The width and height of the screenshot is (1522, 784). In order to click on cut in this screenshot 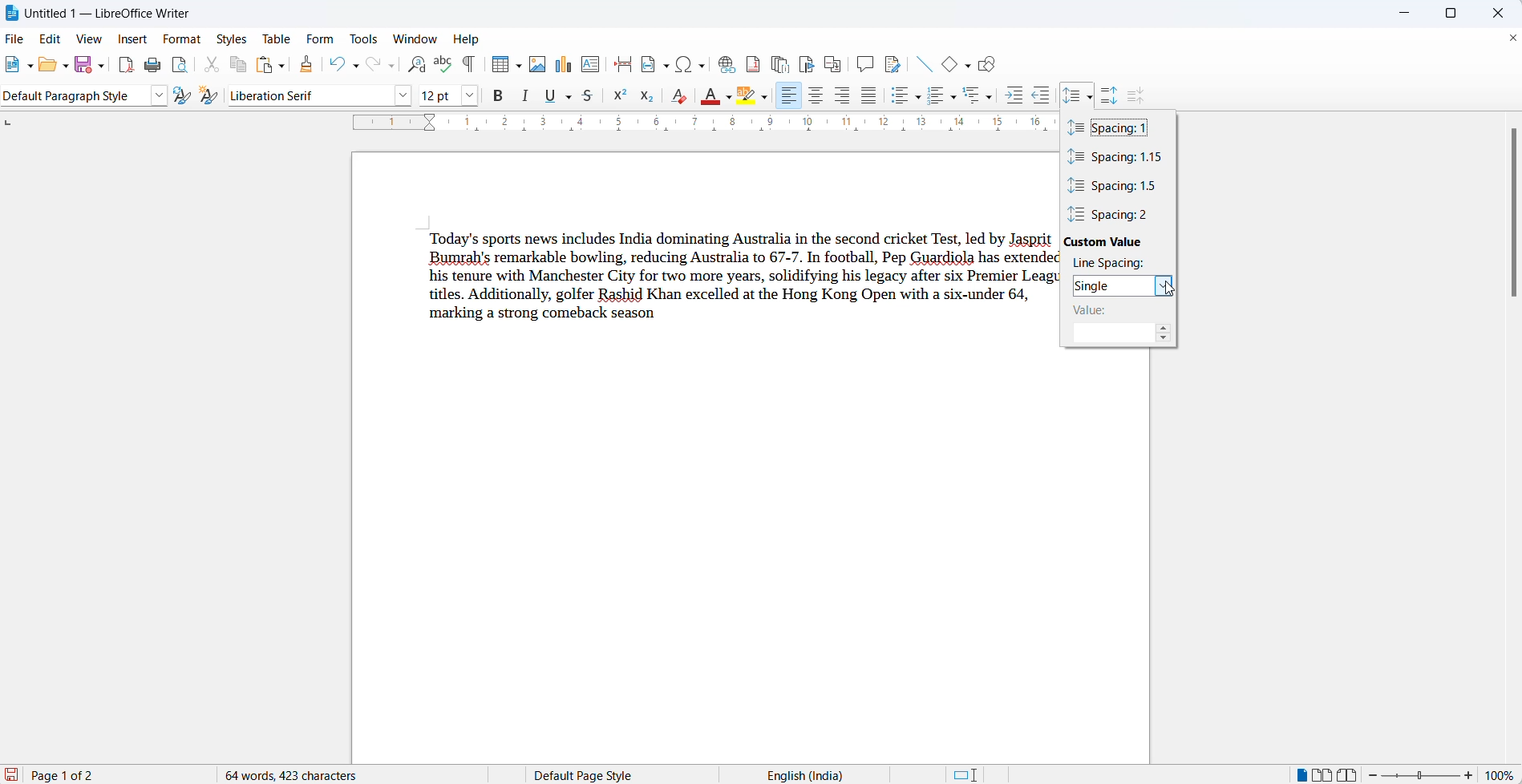, I will do `click(213, 64)`.